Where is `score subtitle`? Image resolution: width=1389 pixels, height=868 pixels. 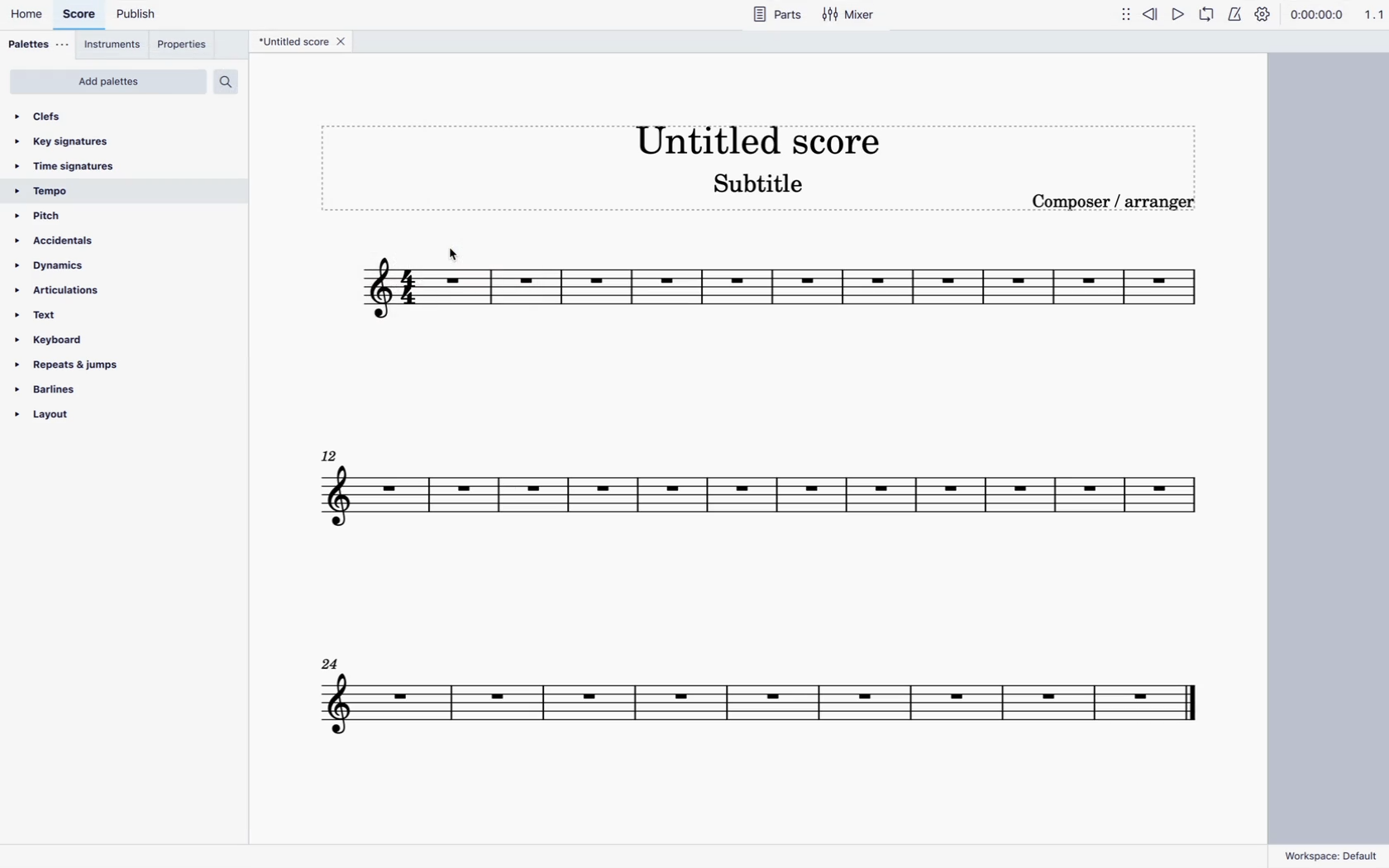
score subtitle is located at coordinates (765, 188).